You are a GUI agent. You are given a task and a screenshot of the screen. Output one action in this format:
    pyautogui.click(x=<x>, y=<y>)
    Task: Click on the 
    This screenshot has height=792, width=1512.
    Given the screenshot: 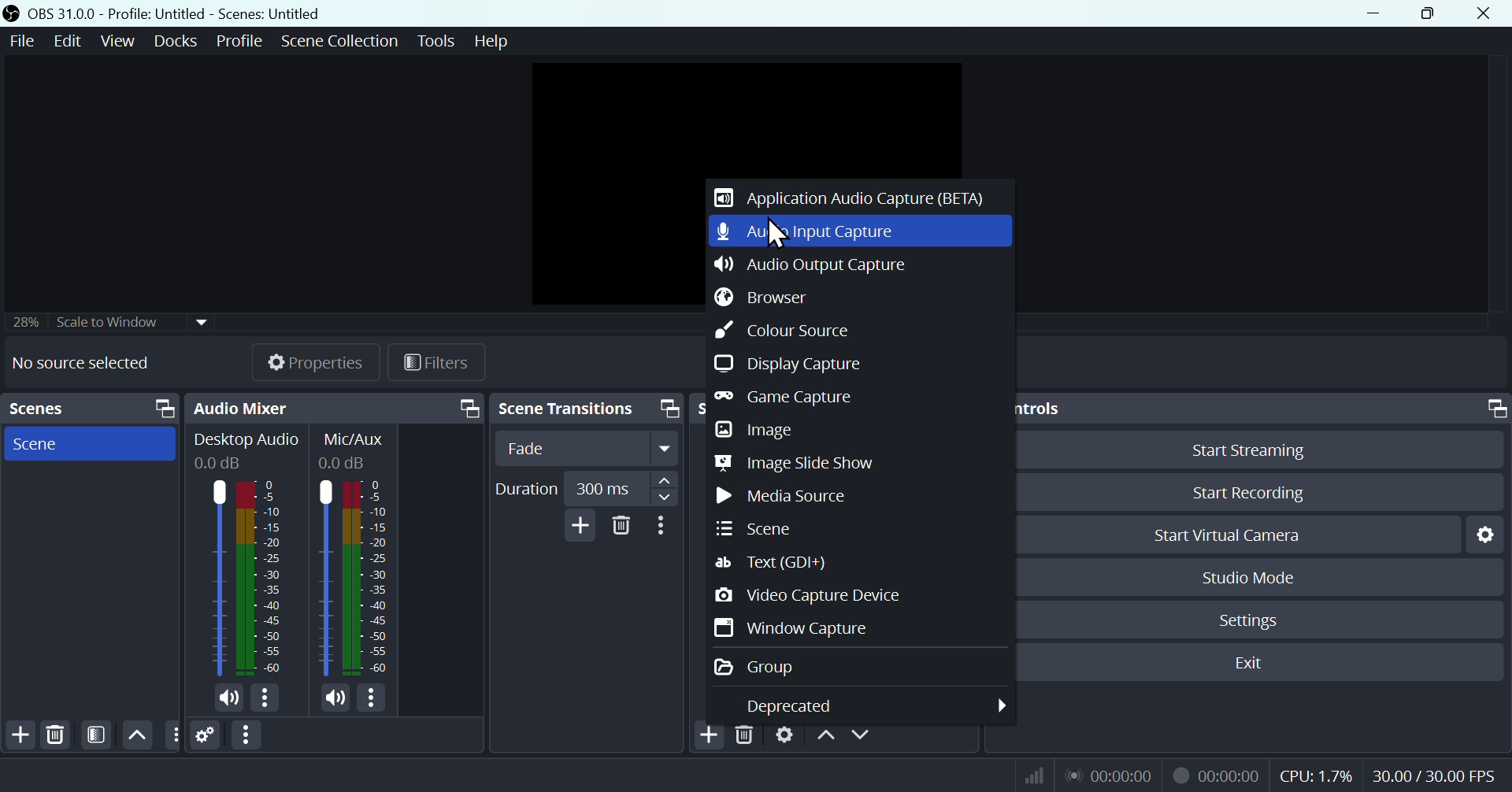 What is the action you would take?
    pyautogui.click(x=1260, y=449)
    